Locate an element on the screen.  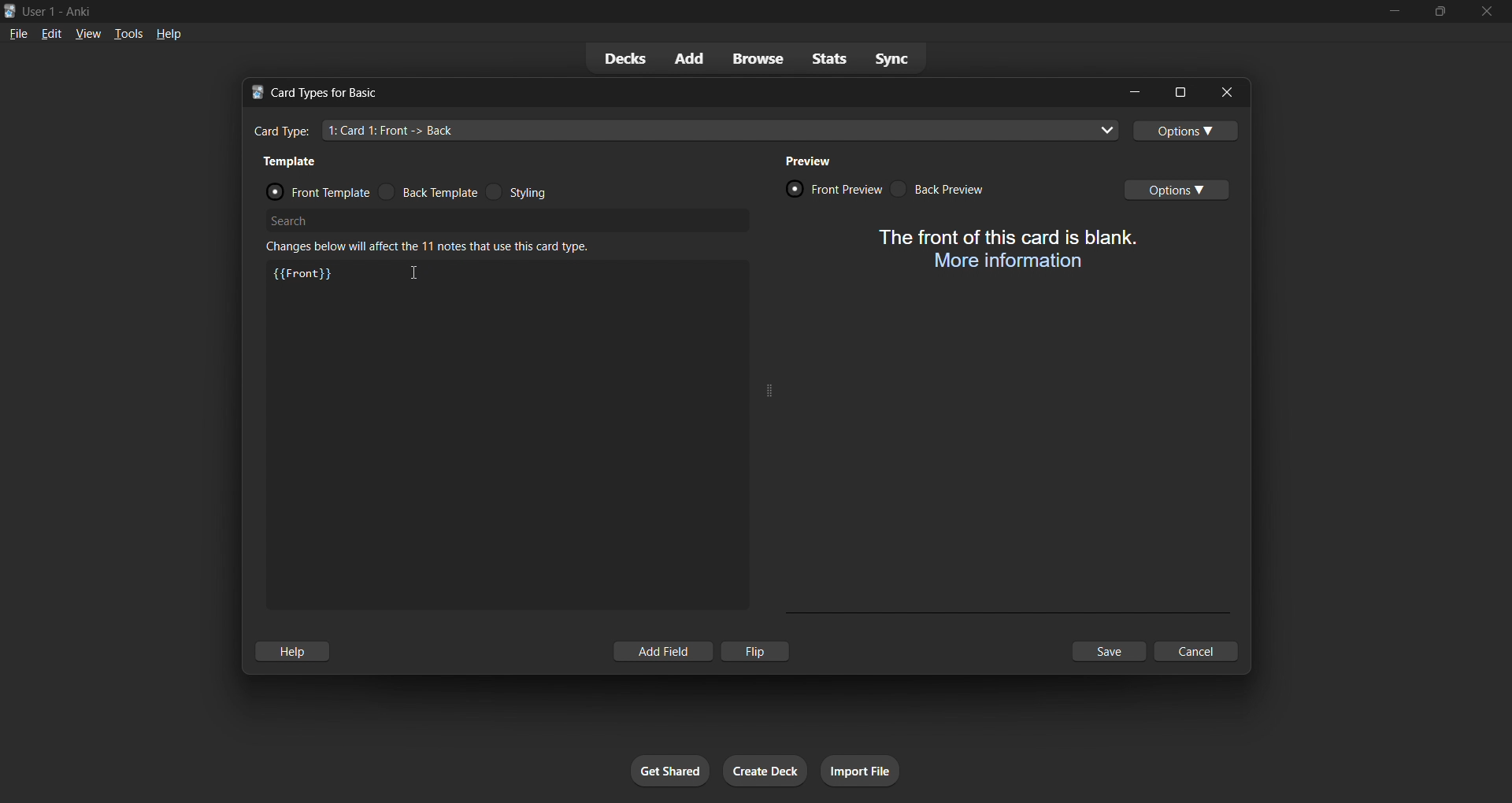
cursor is located at coordinates (417, 276).